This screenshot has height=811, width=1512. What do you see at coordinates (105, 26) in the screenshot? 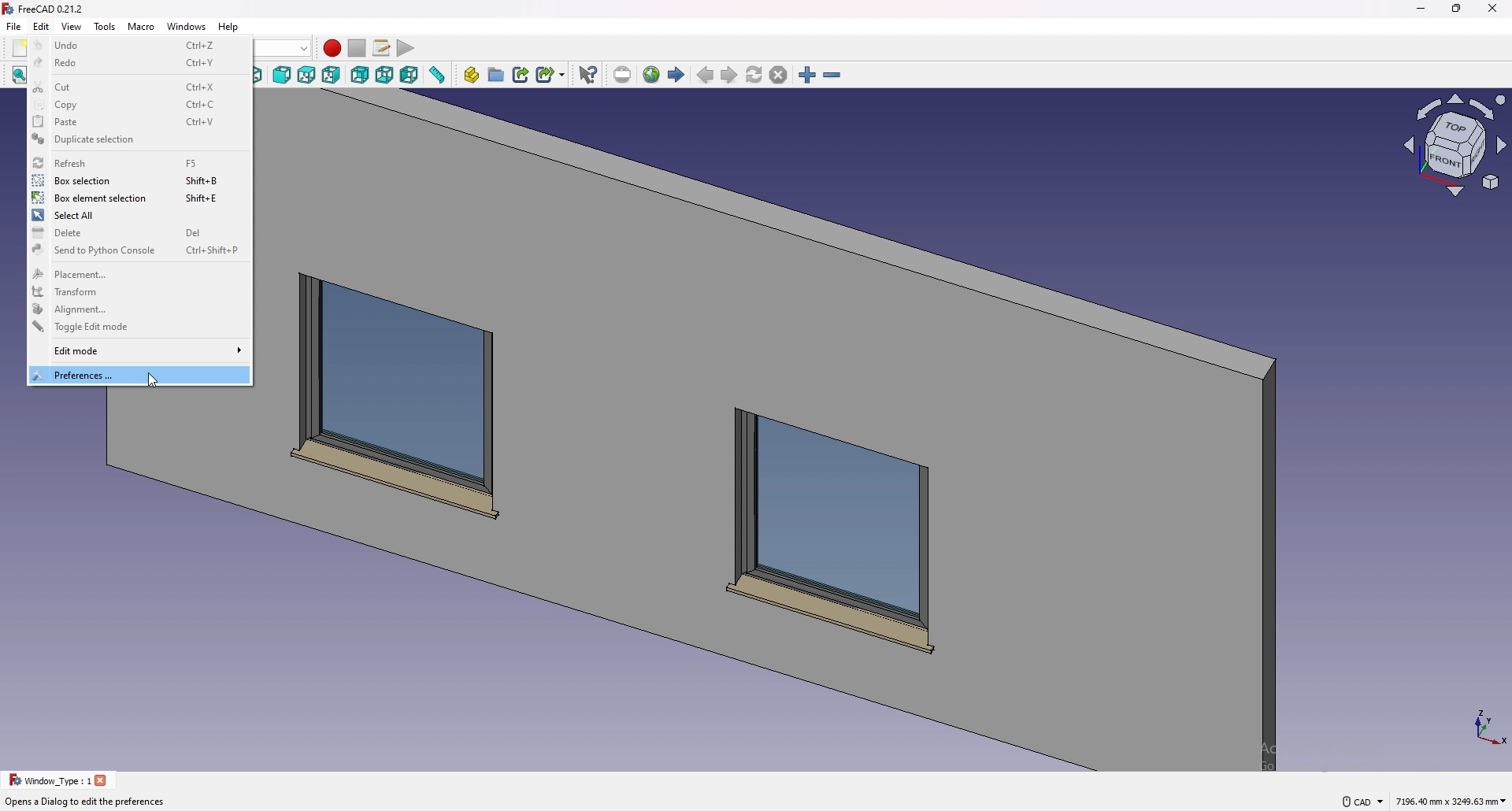
I see `tools` at bounding box center [105, 26].